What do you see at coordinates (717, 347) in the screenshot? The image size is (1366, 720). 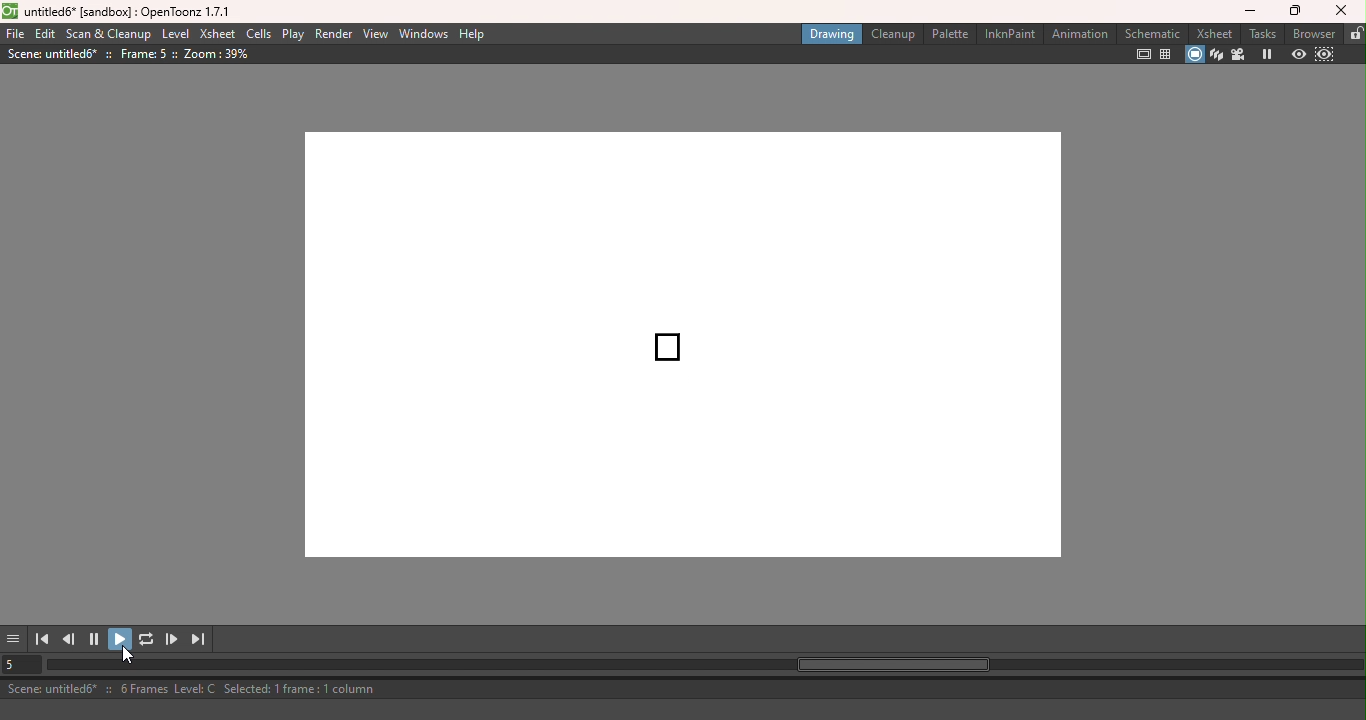 I see `Canvas` at bounding box center [717, 347].